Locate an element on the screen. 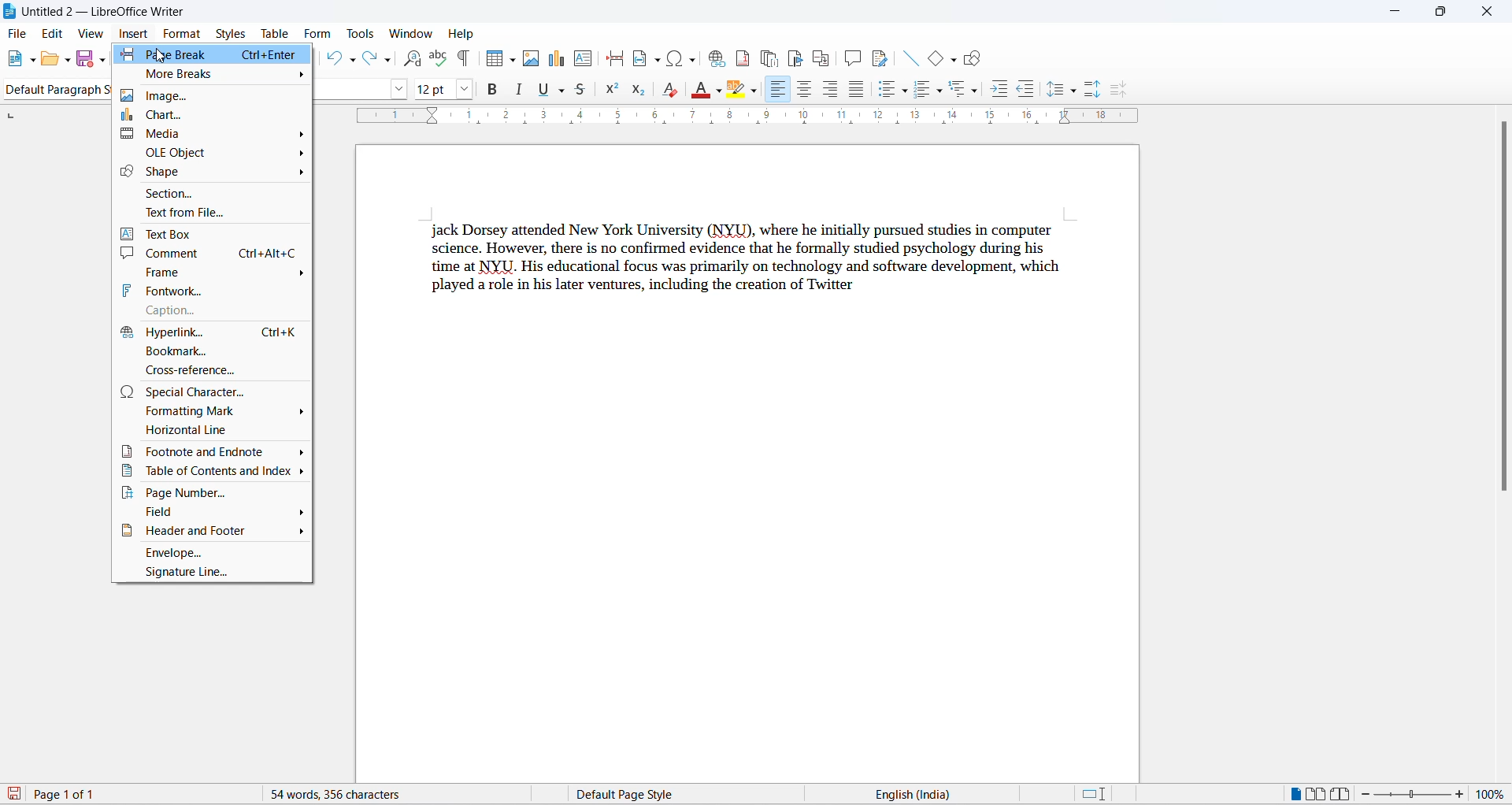 The image size is (1512, 805). text box is located at coordinates (212, 232).